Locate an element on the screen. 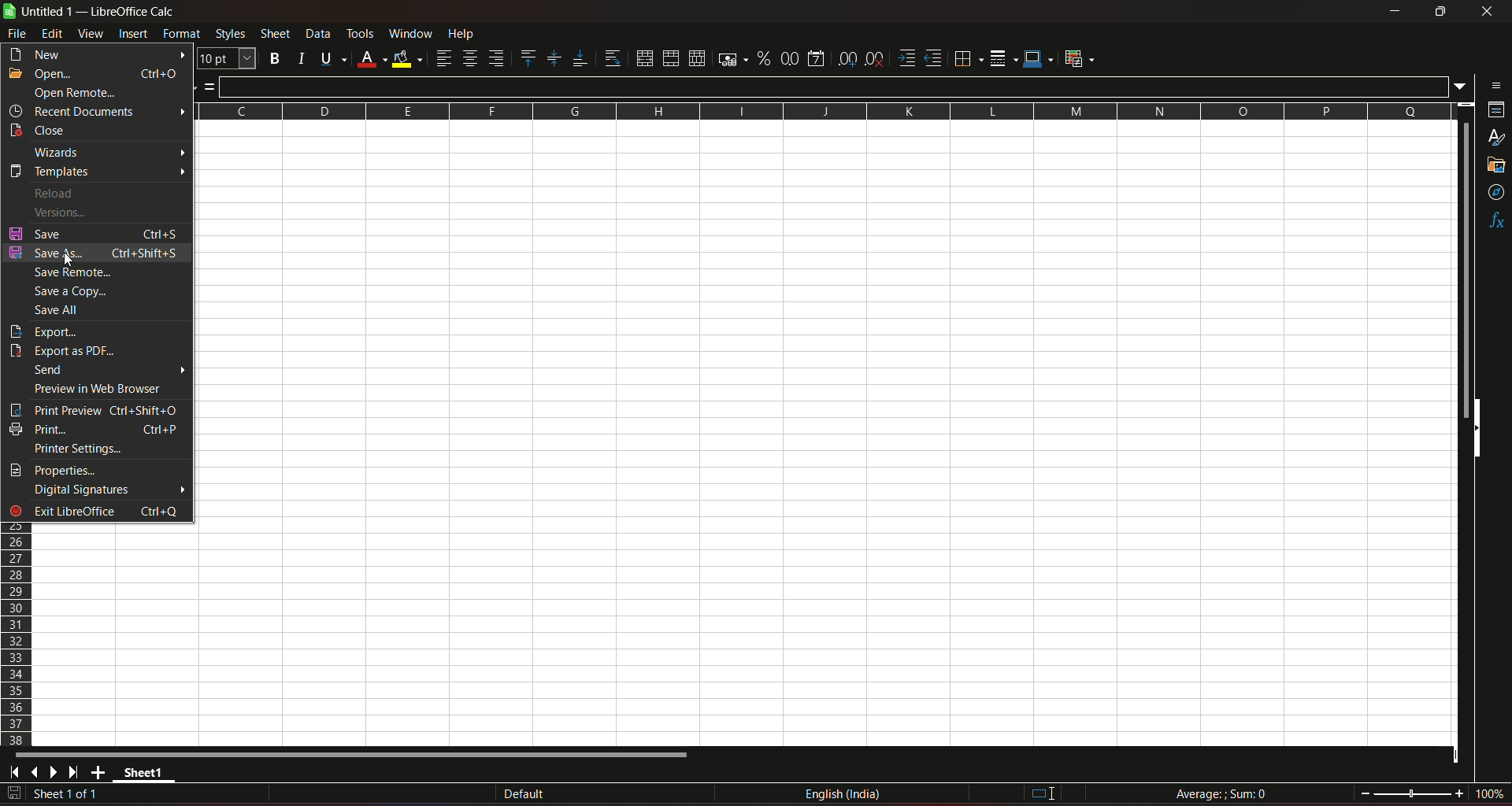 This screenshot has width=1512, height=806. first sheet is located at coordinates (17, 772).